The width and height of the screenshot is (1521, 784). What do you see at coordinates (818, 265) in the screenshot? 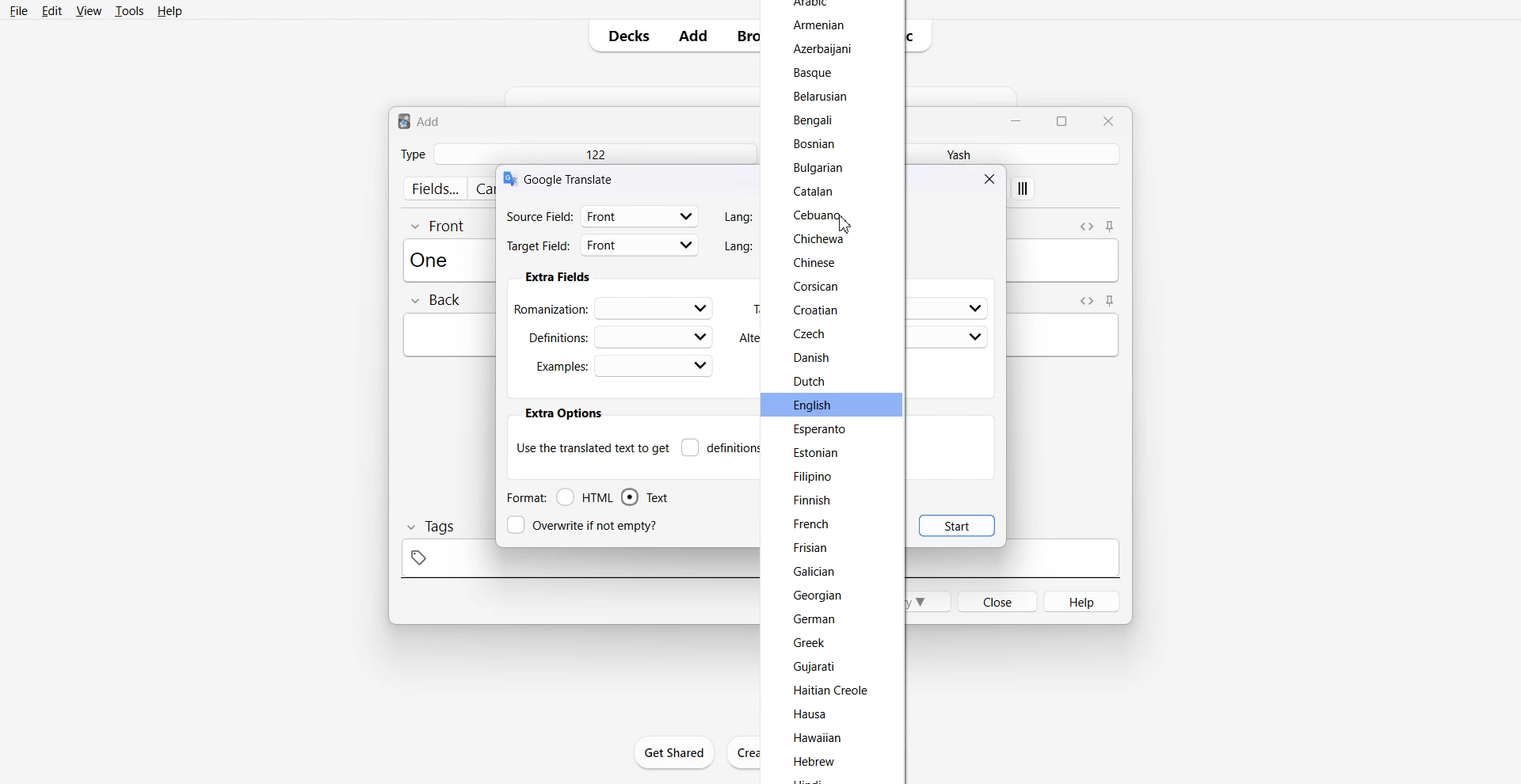
I see `Chinese` at bounding box center [818, 265].